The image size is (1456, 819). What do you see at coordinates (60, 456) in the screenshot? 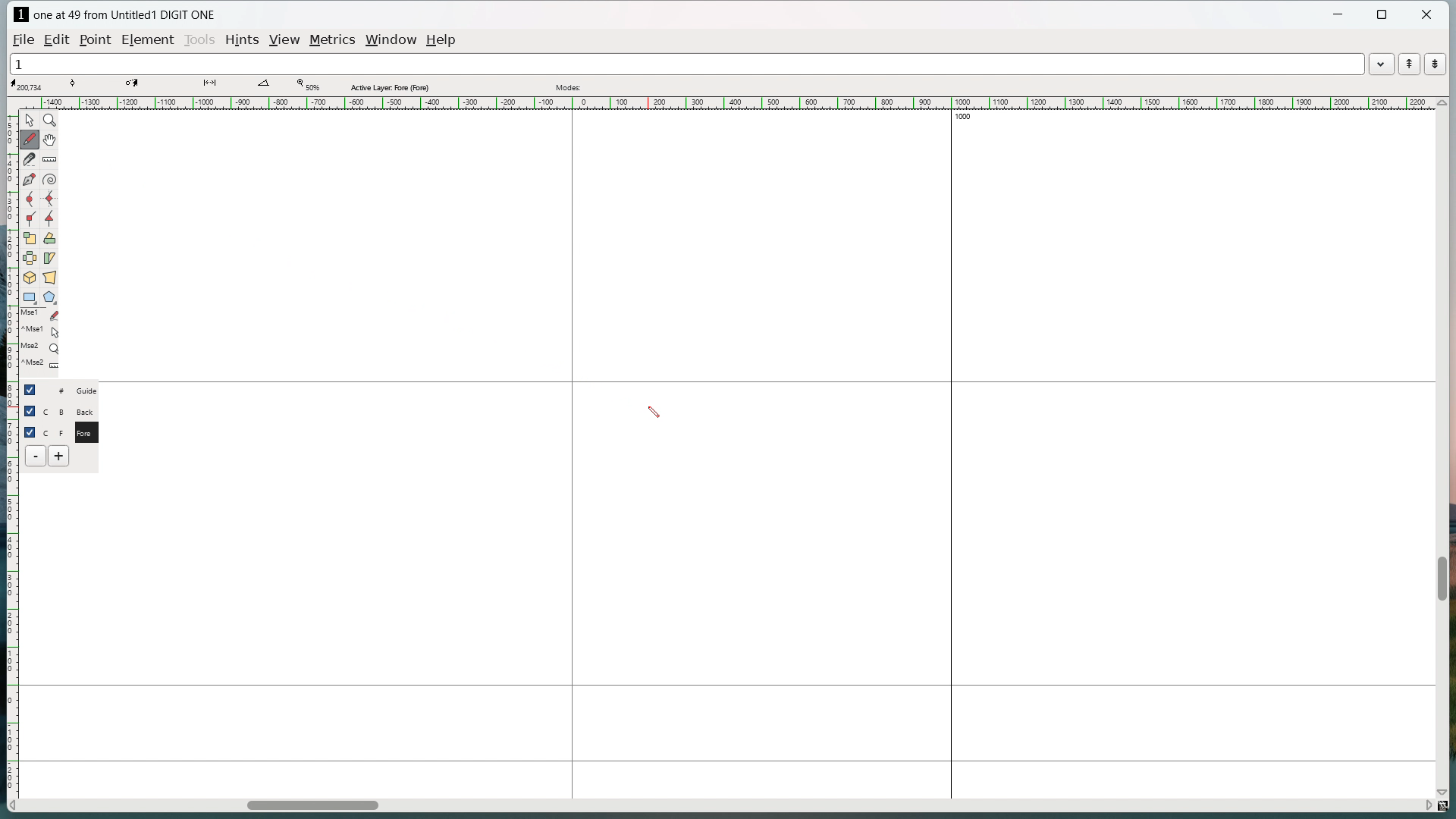
I see `add layer` at bounding box center [60, 456].